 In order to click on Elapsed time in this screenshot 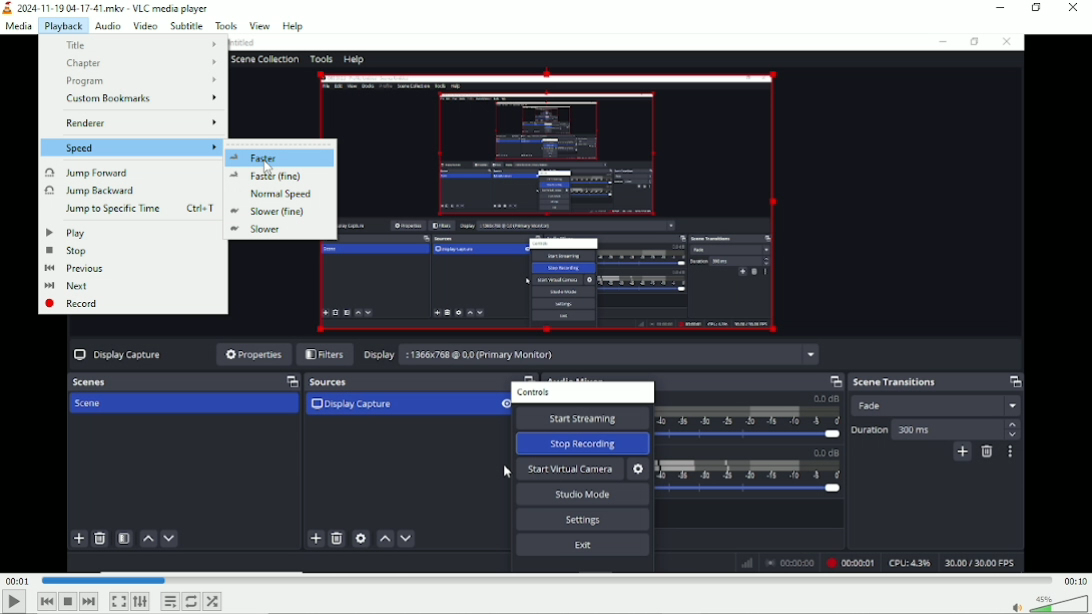, I will do `click(15, 579)`.